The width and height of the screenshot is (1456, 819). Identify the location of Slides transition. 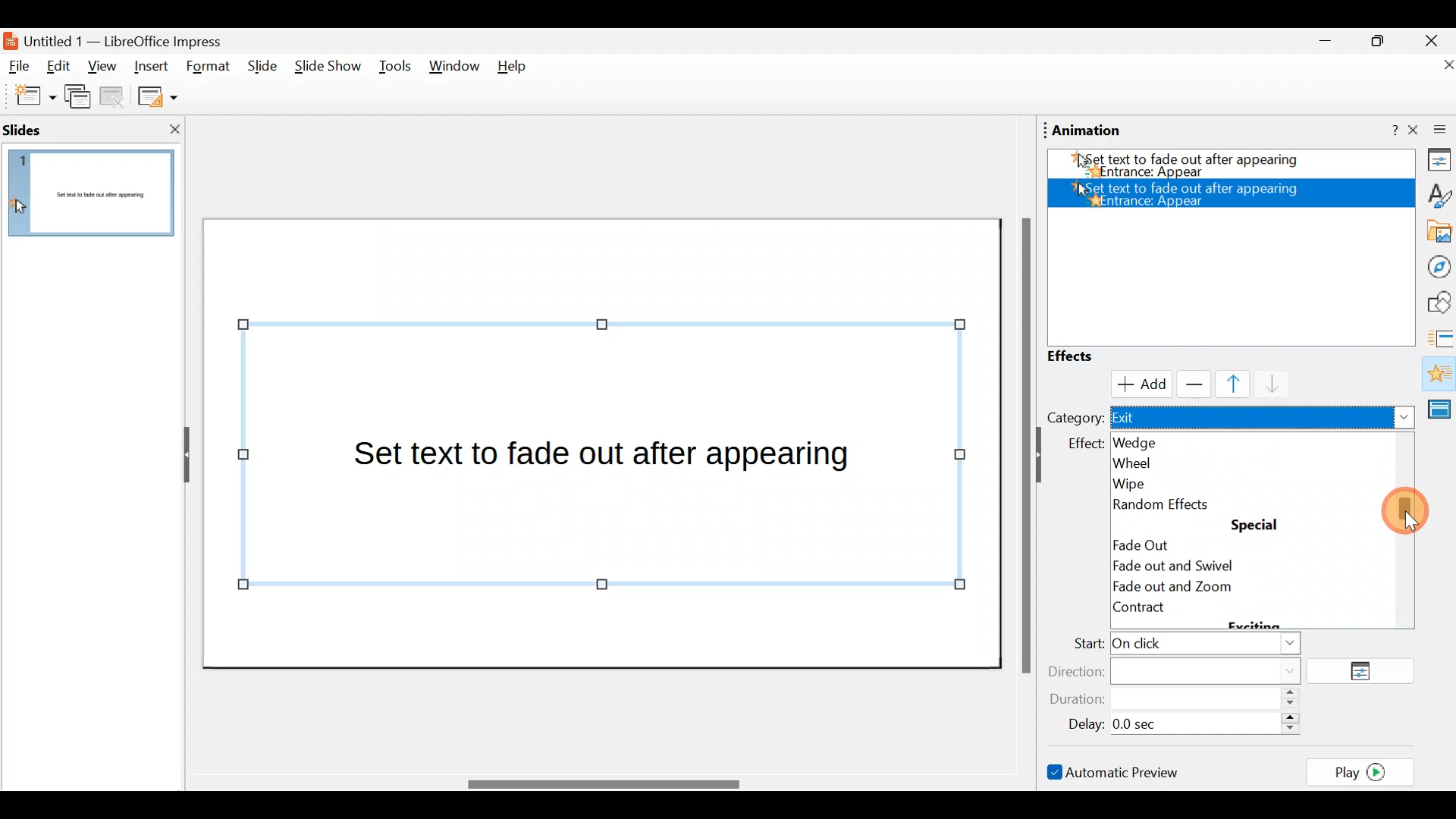
(1441, 337).